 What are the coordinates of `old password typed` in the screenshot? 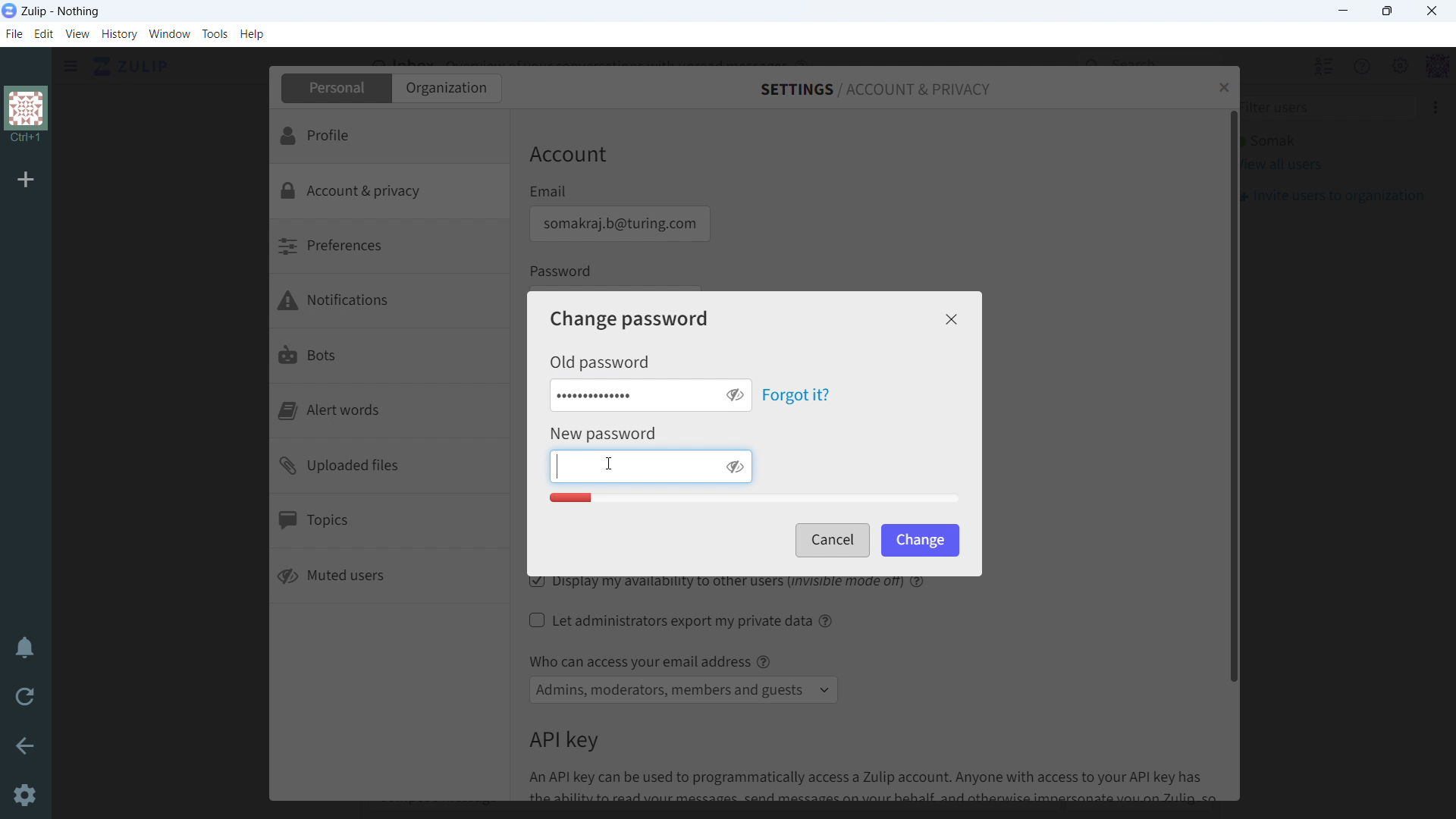 It's located at (599, 394).